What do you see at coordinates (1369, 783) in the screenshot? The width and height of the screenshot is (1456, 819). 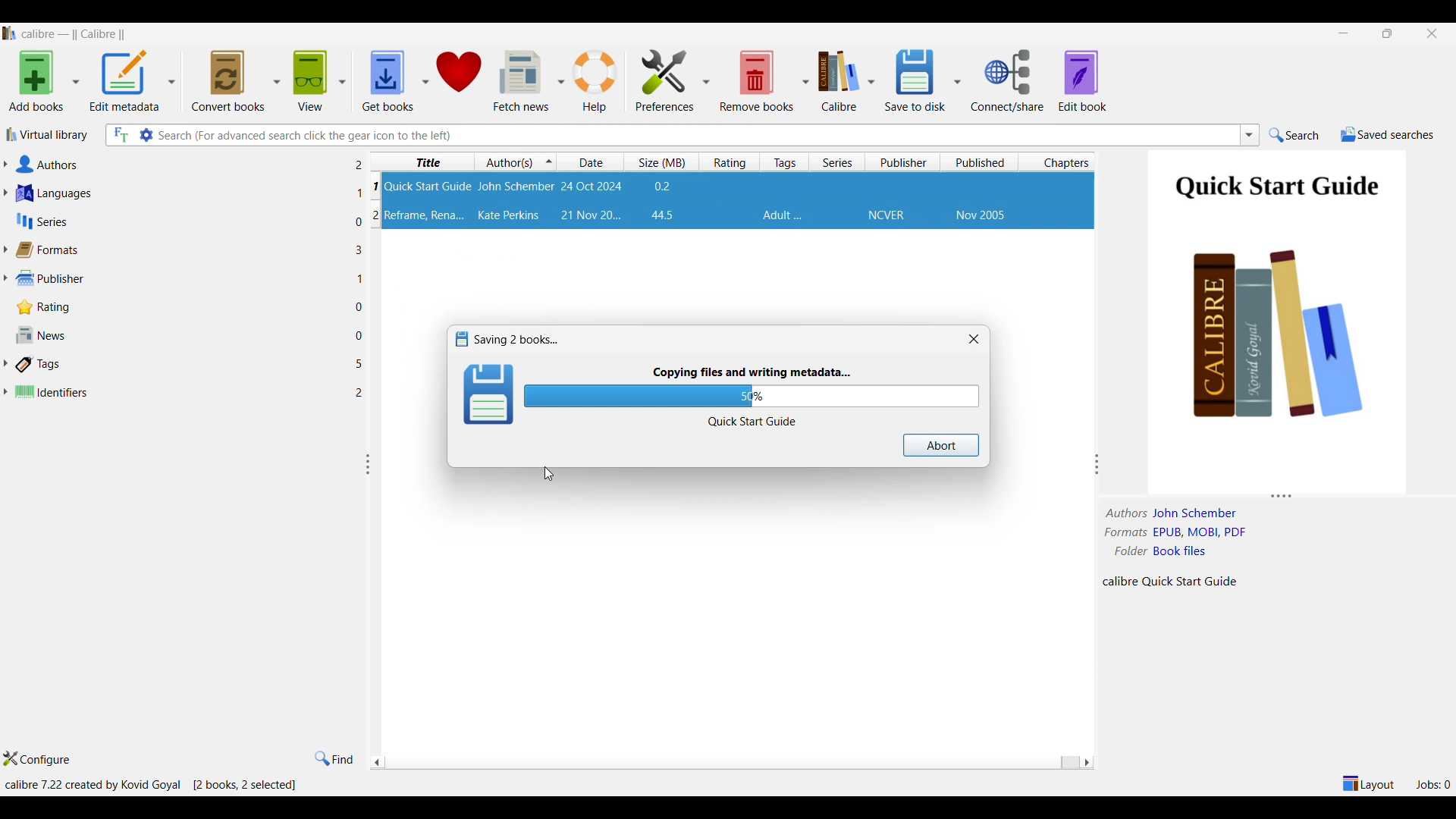 I see `Layout settings` at bounding box center [1369, 783].